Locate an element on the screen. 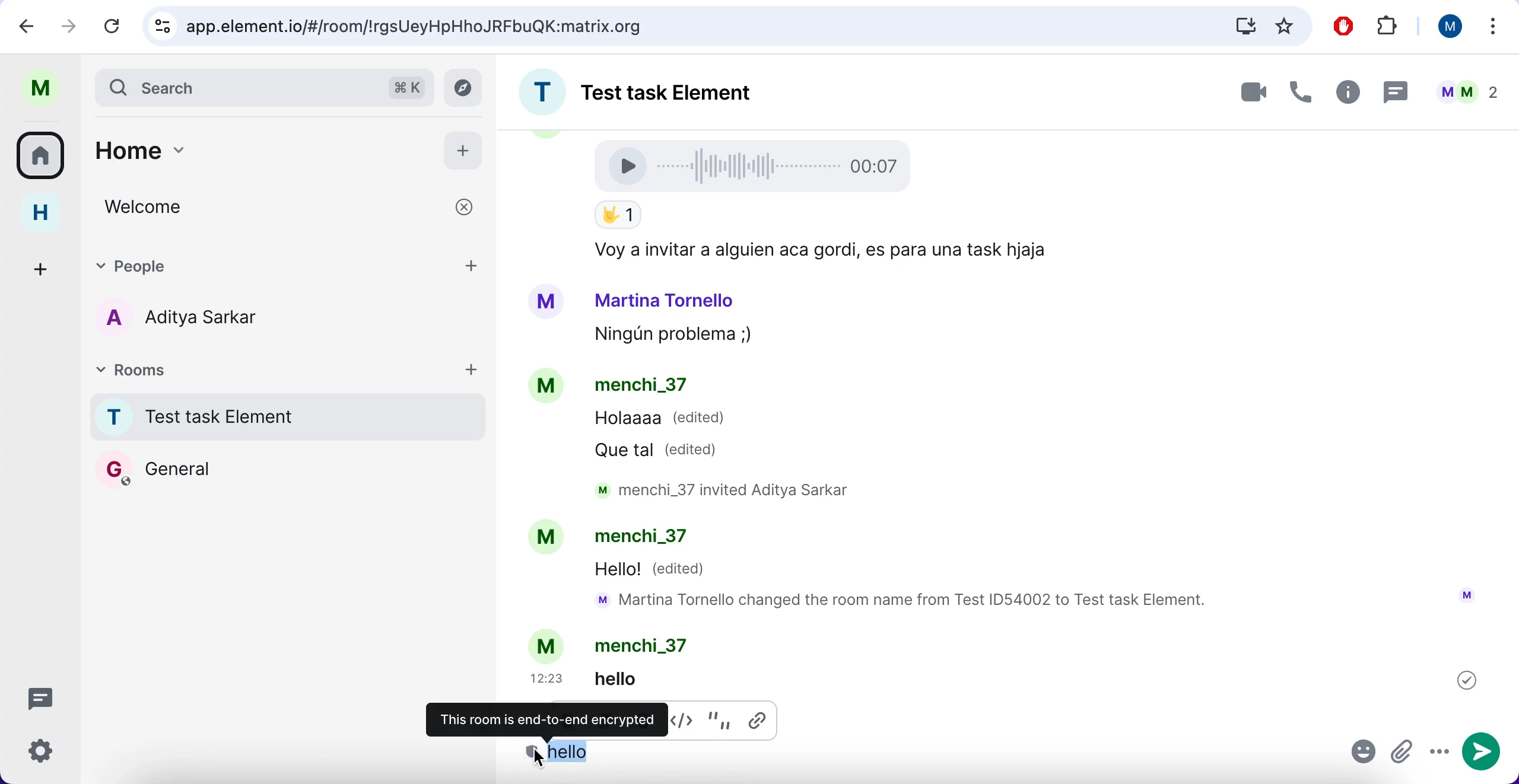 Image resolution: width=1519 pixels, height=784 pixels. send message is located at coordinates (1484, 752).